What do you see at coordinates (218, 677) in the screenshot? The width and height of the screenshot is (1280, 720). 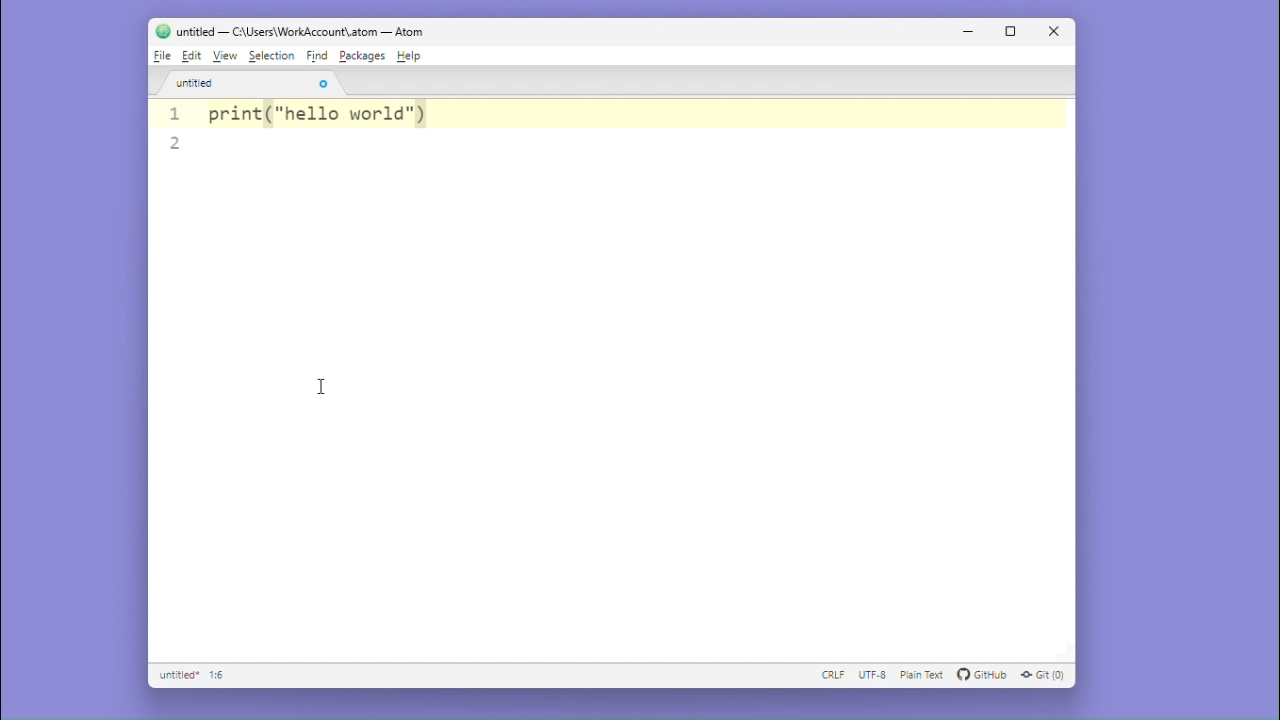 I see `2:1` at bounding box center [218, 677].